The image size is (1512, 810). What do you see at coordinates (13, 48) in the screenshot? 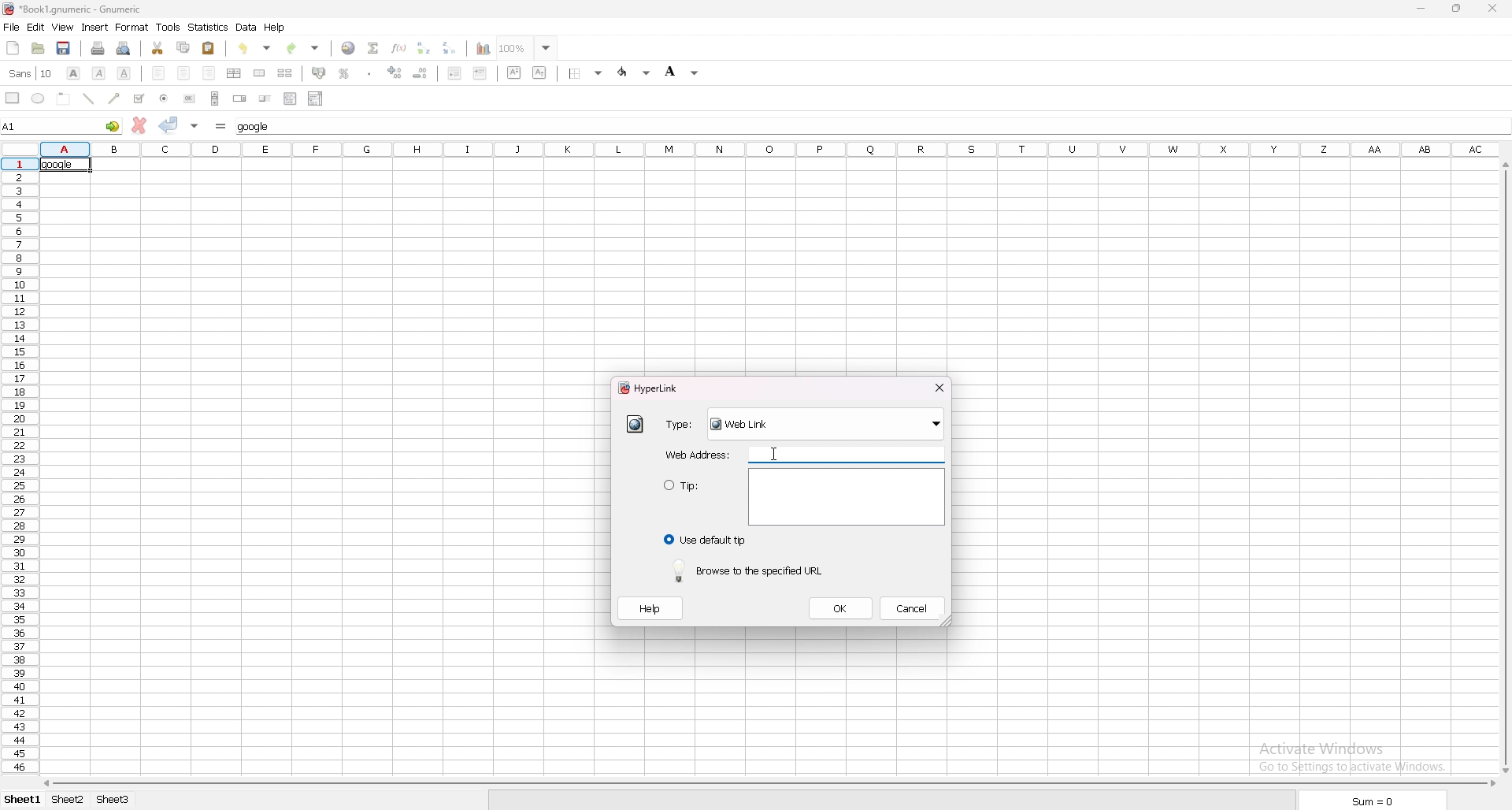
I see `new` at bounding box center [13, 48].